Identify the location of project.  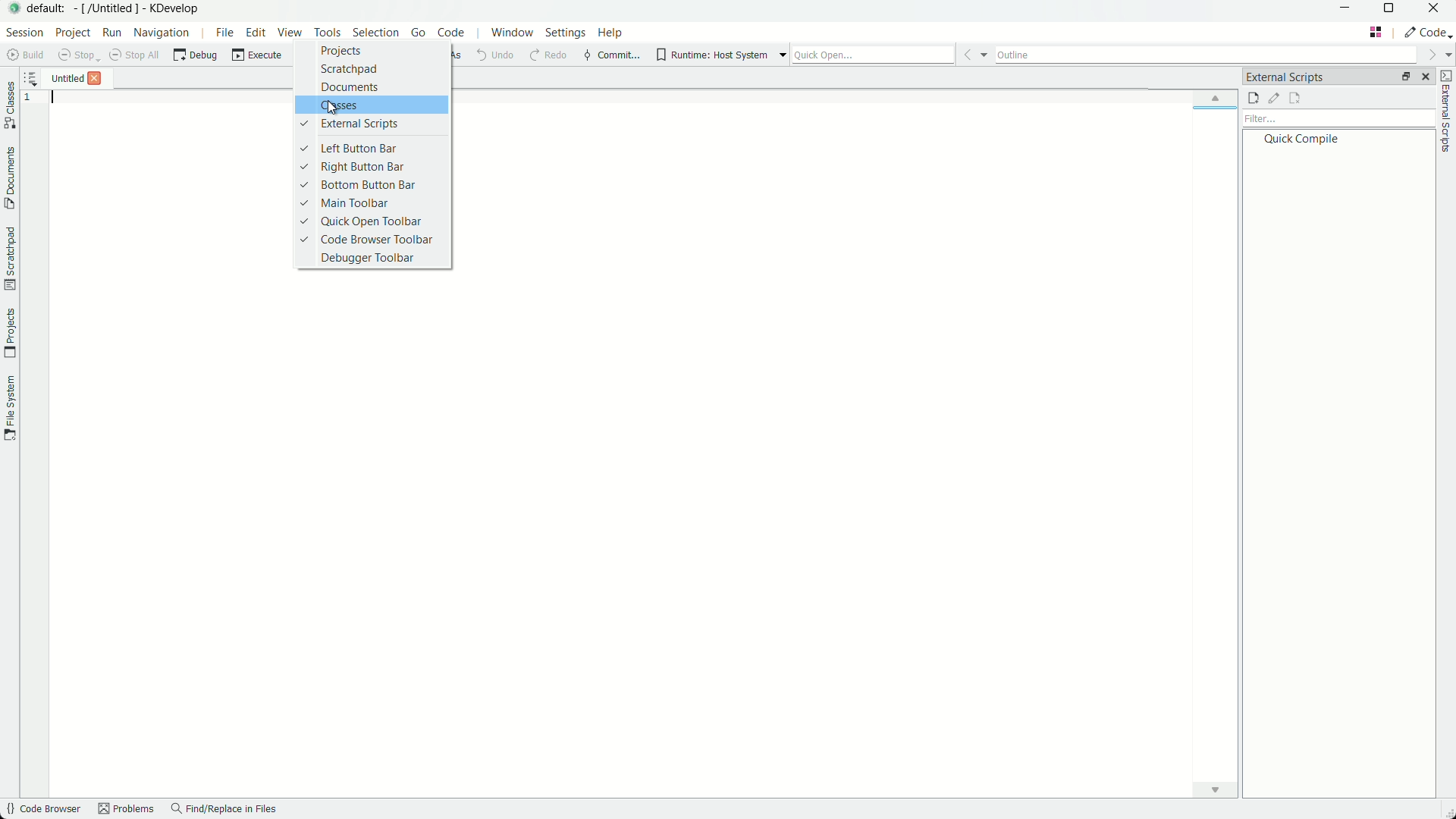
(71, 35).